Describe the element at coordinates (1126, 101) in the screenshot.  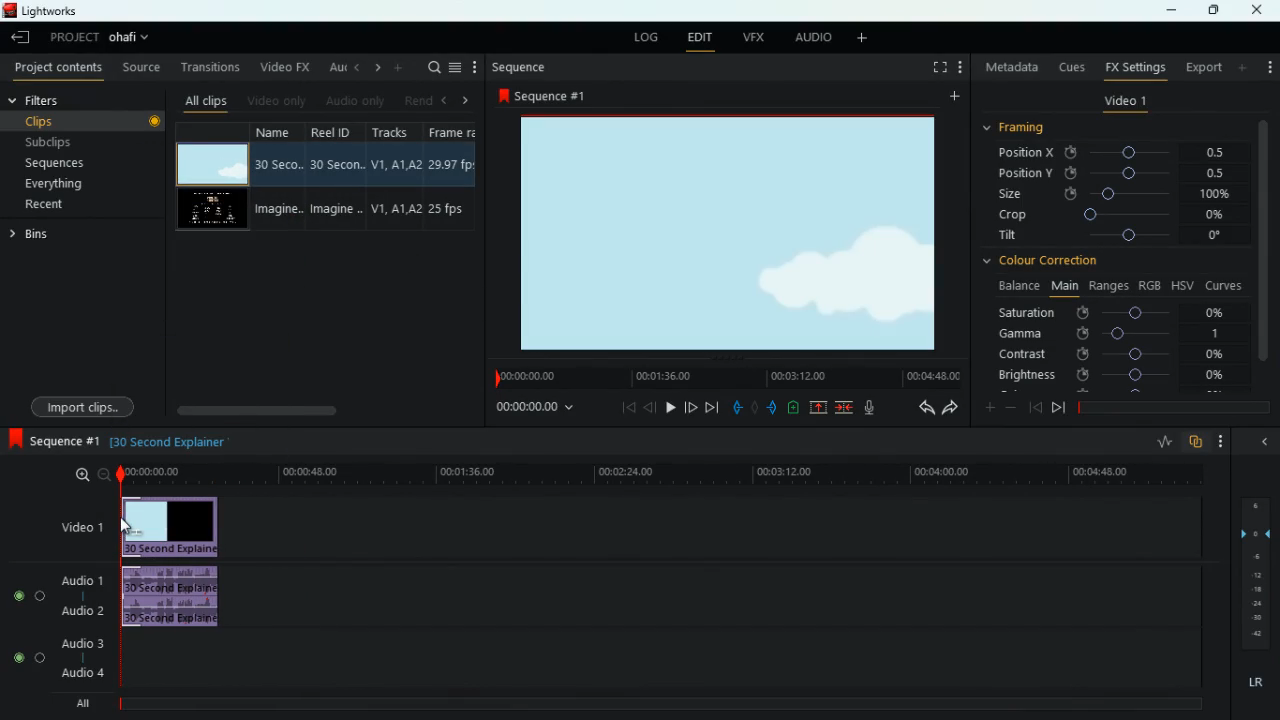
I see `video 1` at that location.